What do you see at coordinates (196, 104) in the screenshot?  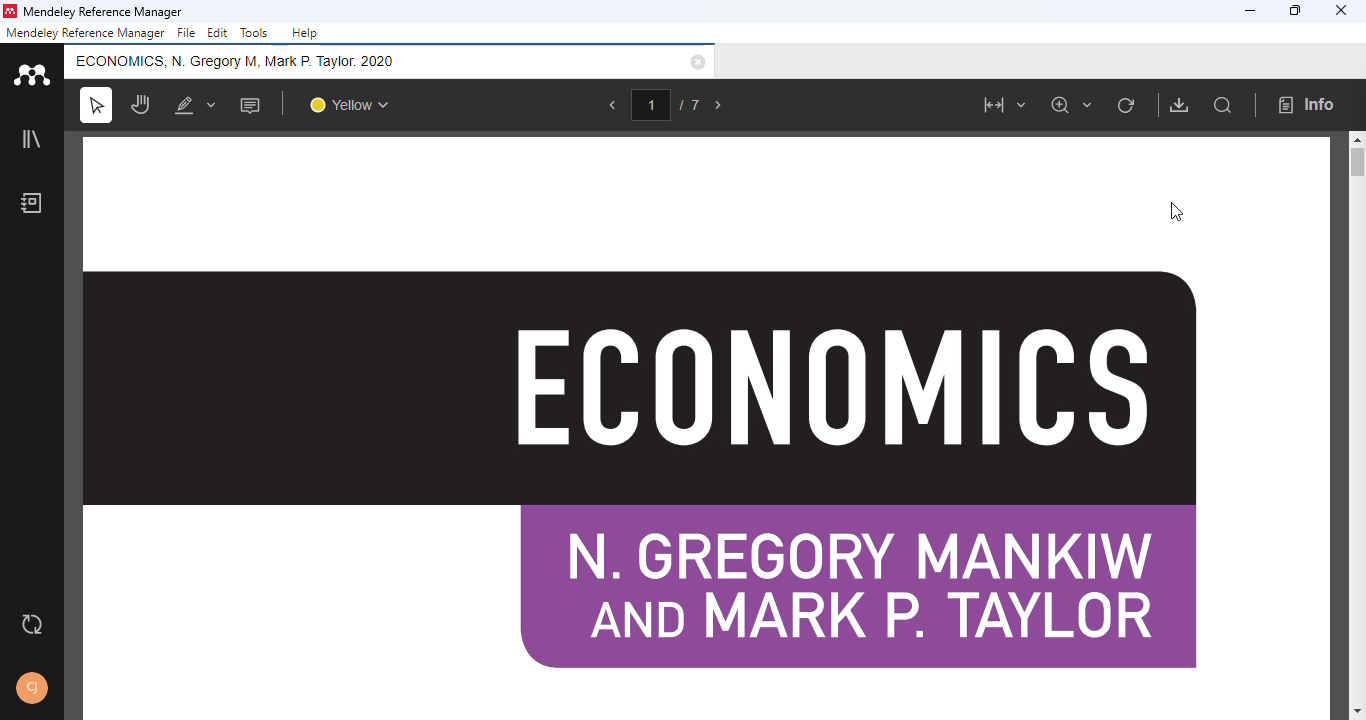 I see `highlight text/ highlight rectangle` at bounding box center [196, 104].